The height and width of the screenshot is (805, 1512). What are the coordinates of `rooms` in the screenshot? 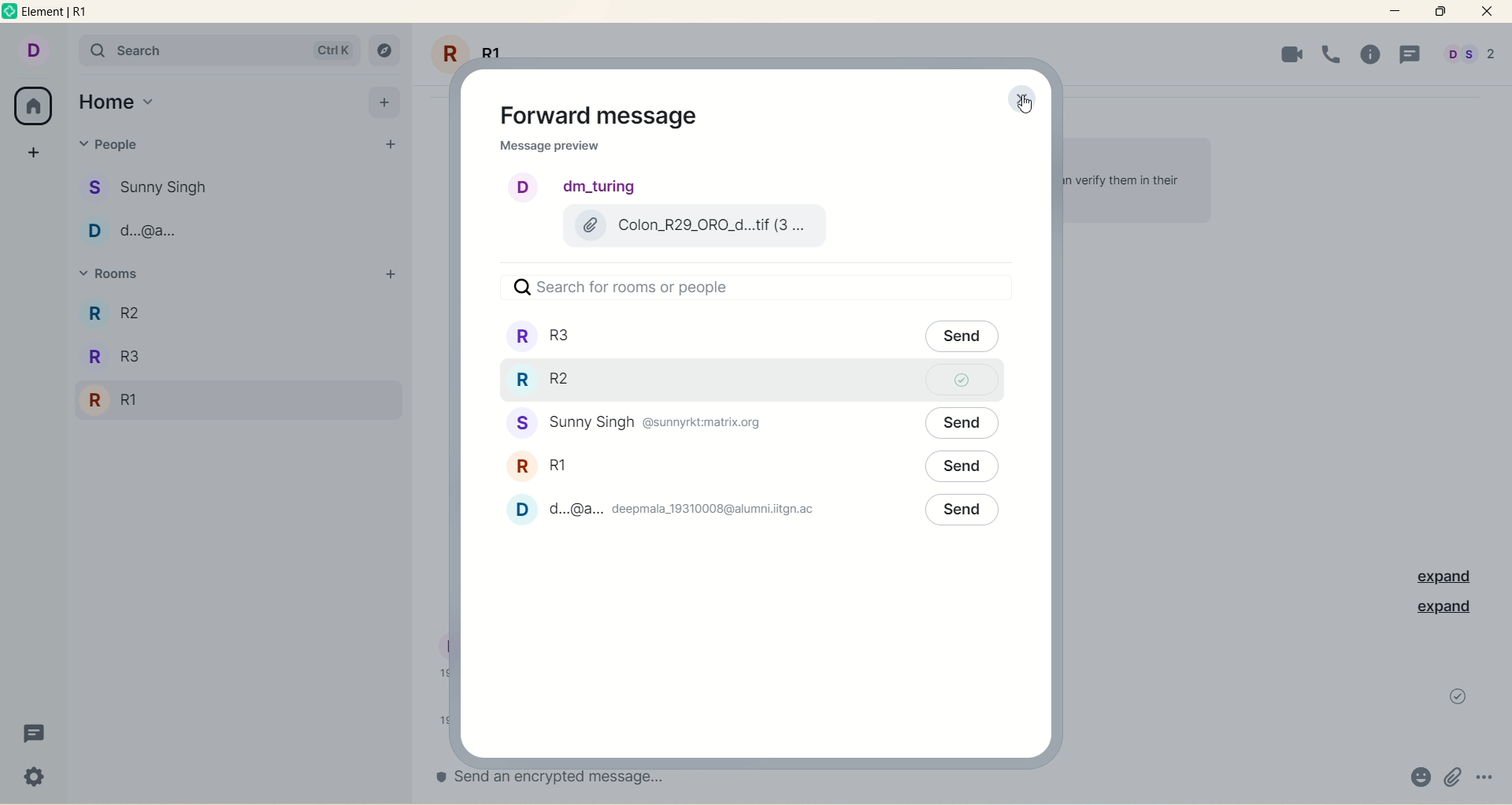 It's located at (743, 338).